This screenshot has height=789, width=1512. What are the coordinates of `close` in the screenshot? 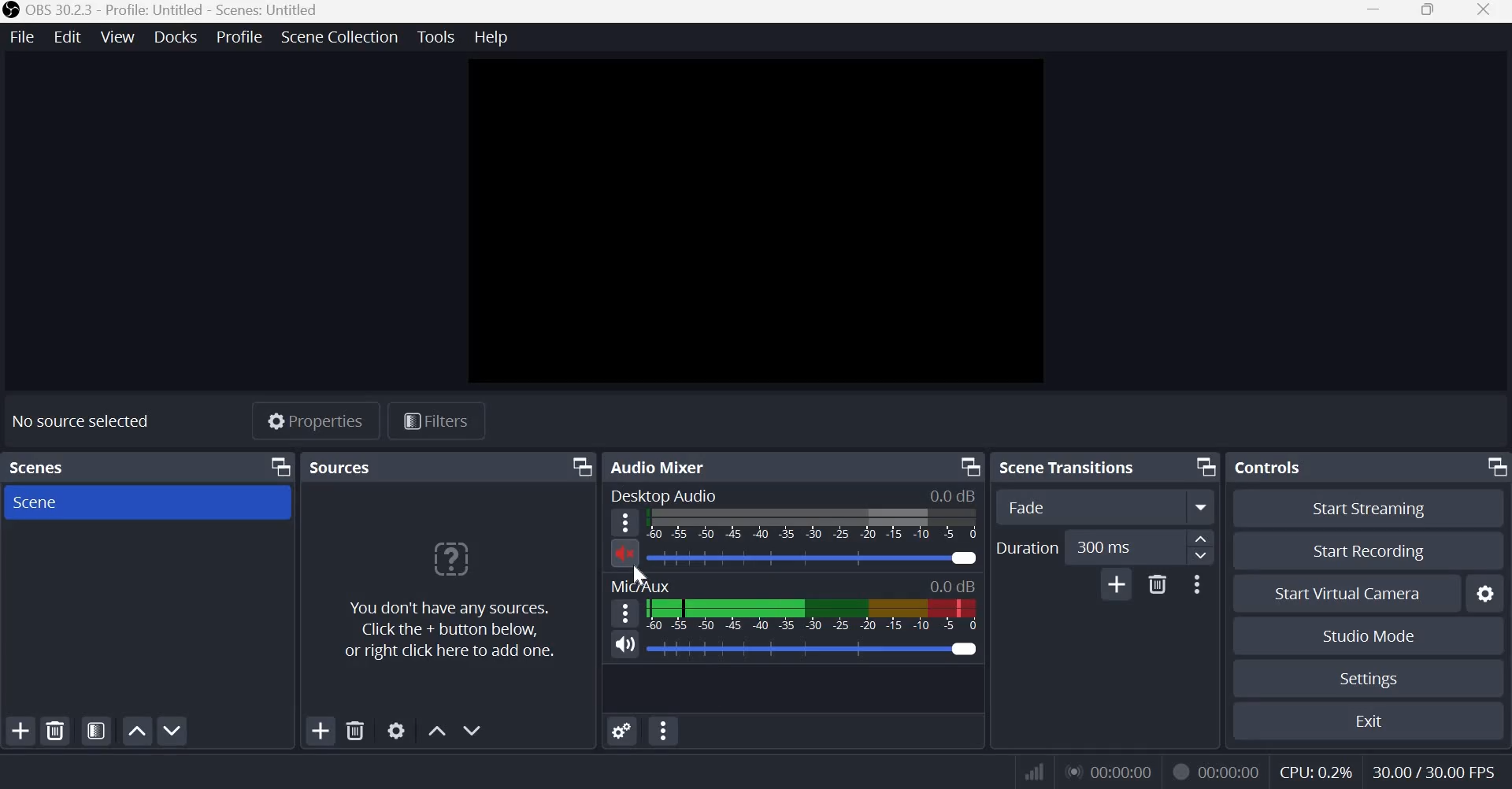 It's located at (1484, 12).